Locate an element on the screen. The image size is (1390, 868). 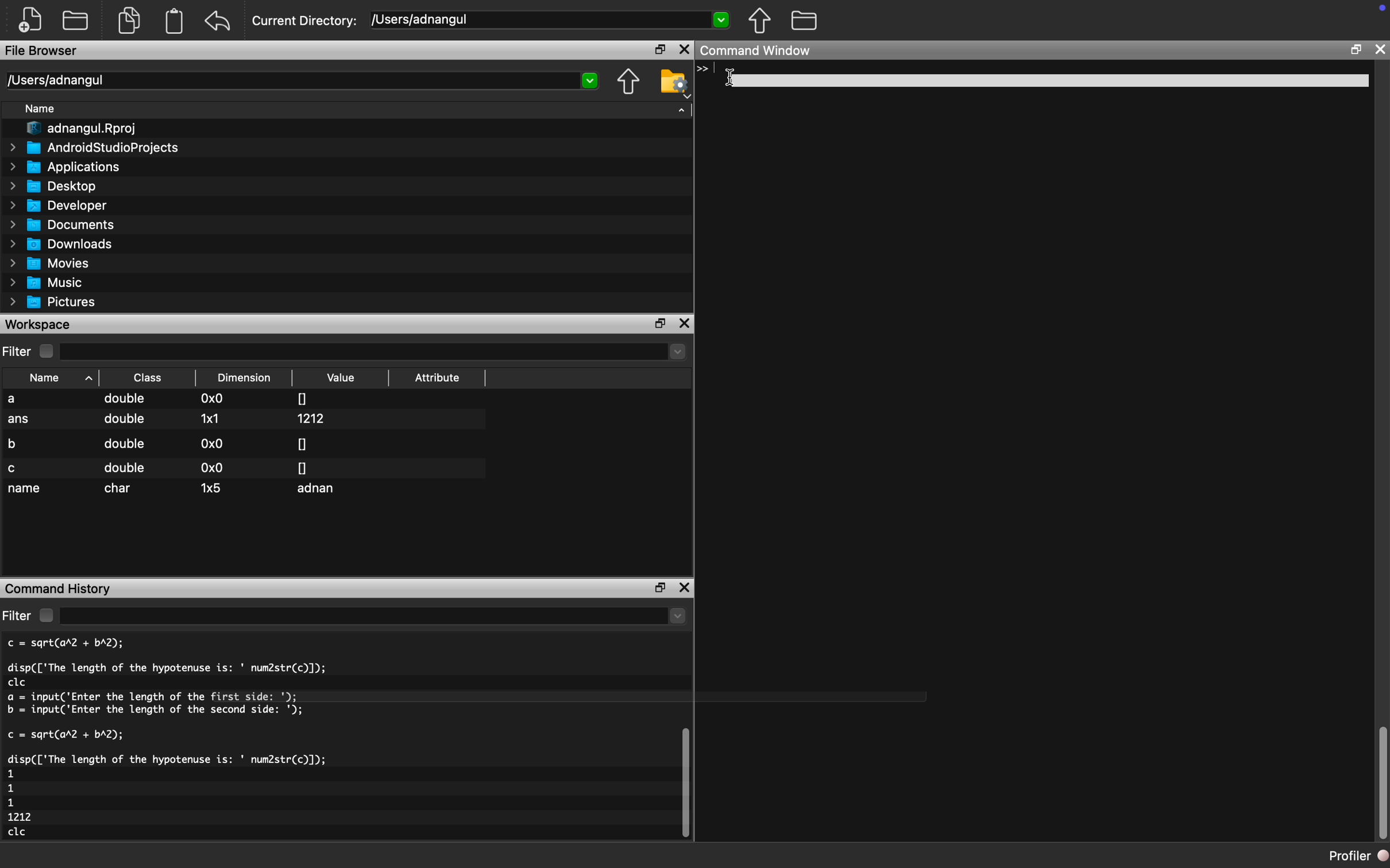
1x5 is located at coordinates (212, 487).